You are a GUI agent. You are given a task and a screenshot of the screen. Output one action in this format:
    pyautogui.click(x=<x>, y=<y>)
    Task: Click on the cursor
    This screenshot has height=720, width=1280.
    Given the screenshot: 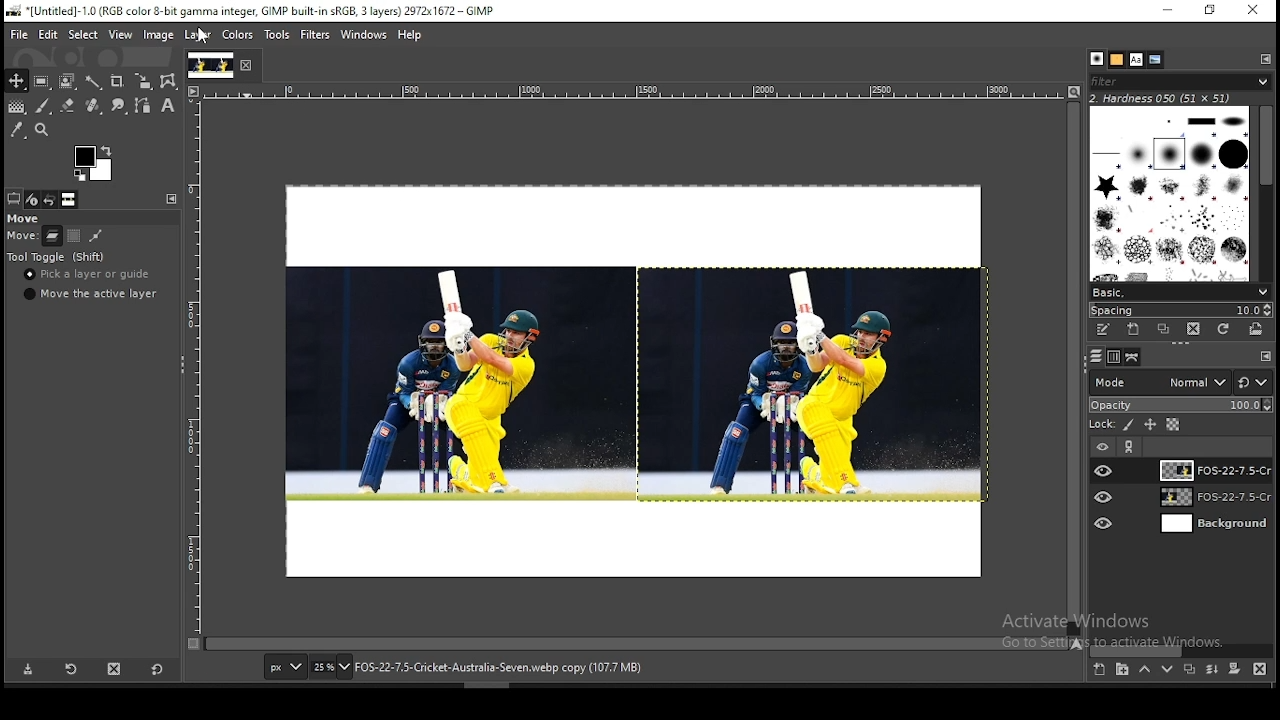 What is the action you would take?
    pyautogui.click(x=202, y=37)
    